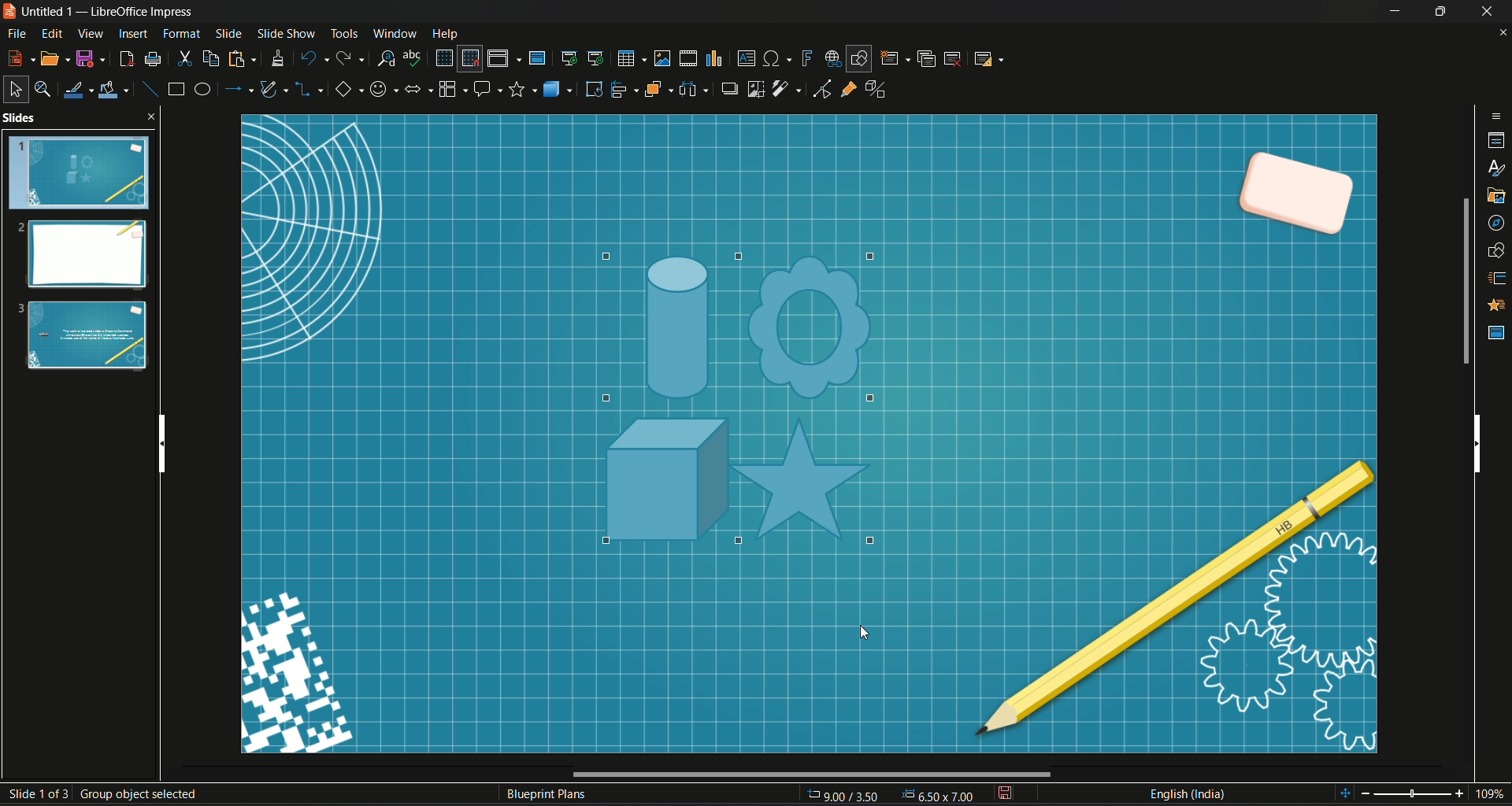 The height and width of the screenshot is (806, 1512). What do you see at coordinates (237, 89) in the screenshot?
I see `lines and arrow` at bounding box center [237, 89].